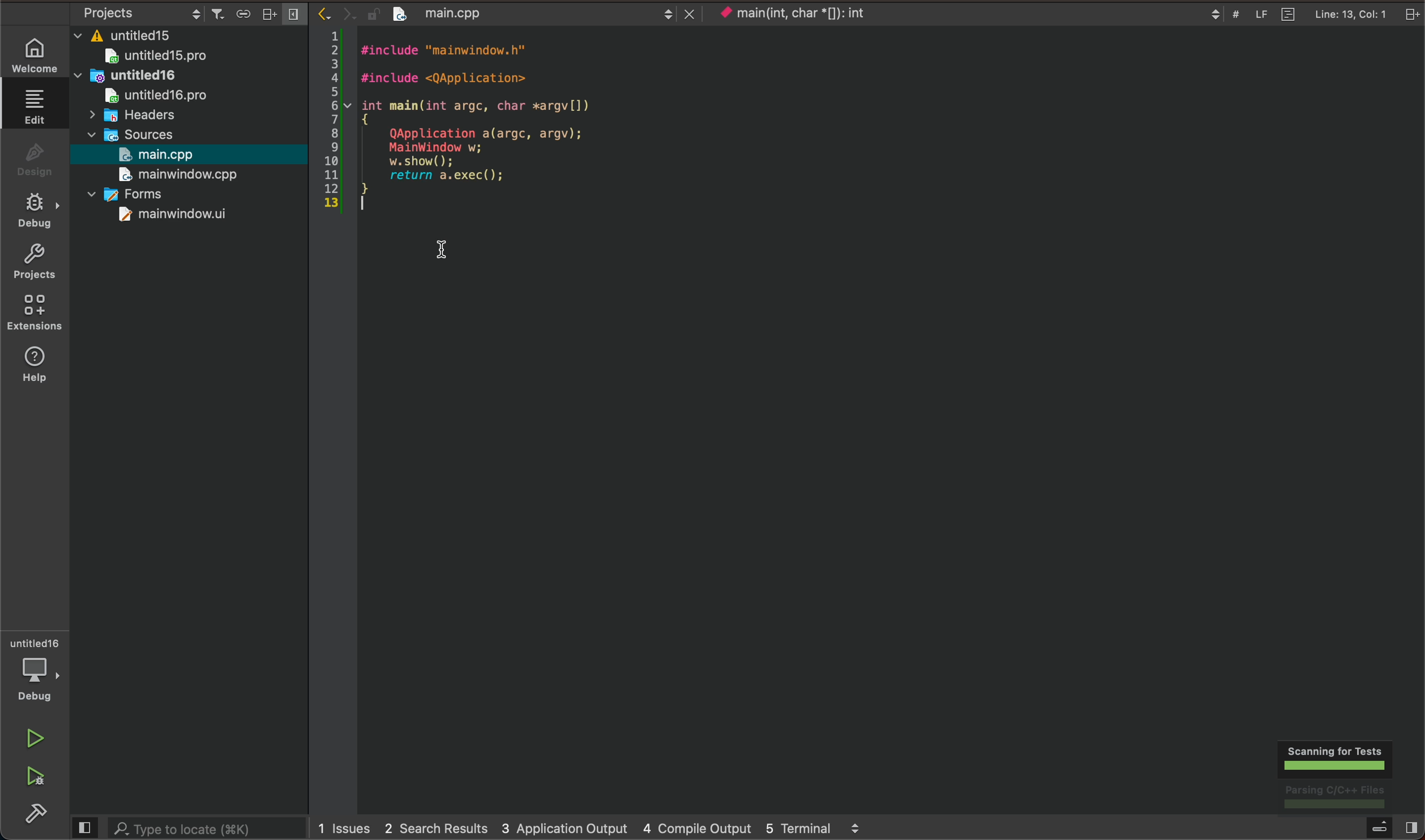  Describe the element at coordinates (177, 176) in the screenshot. I see `mainwindow.cpp` at that location.